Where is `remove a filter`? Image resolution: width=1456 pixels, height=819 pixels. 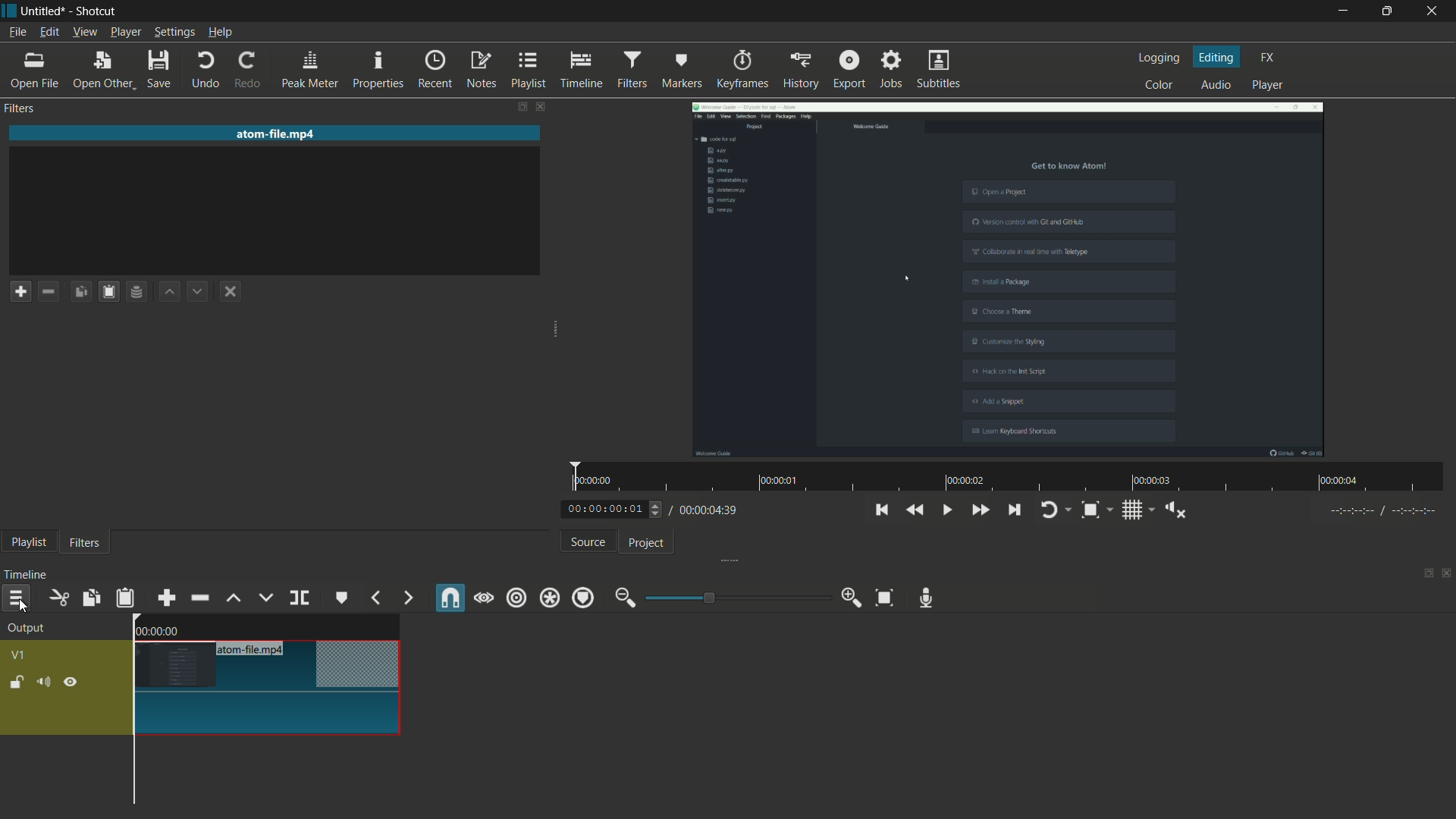
remove a filter is located at coordinates (49, 291).